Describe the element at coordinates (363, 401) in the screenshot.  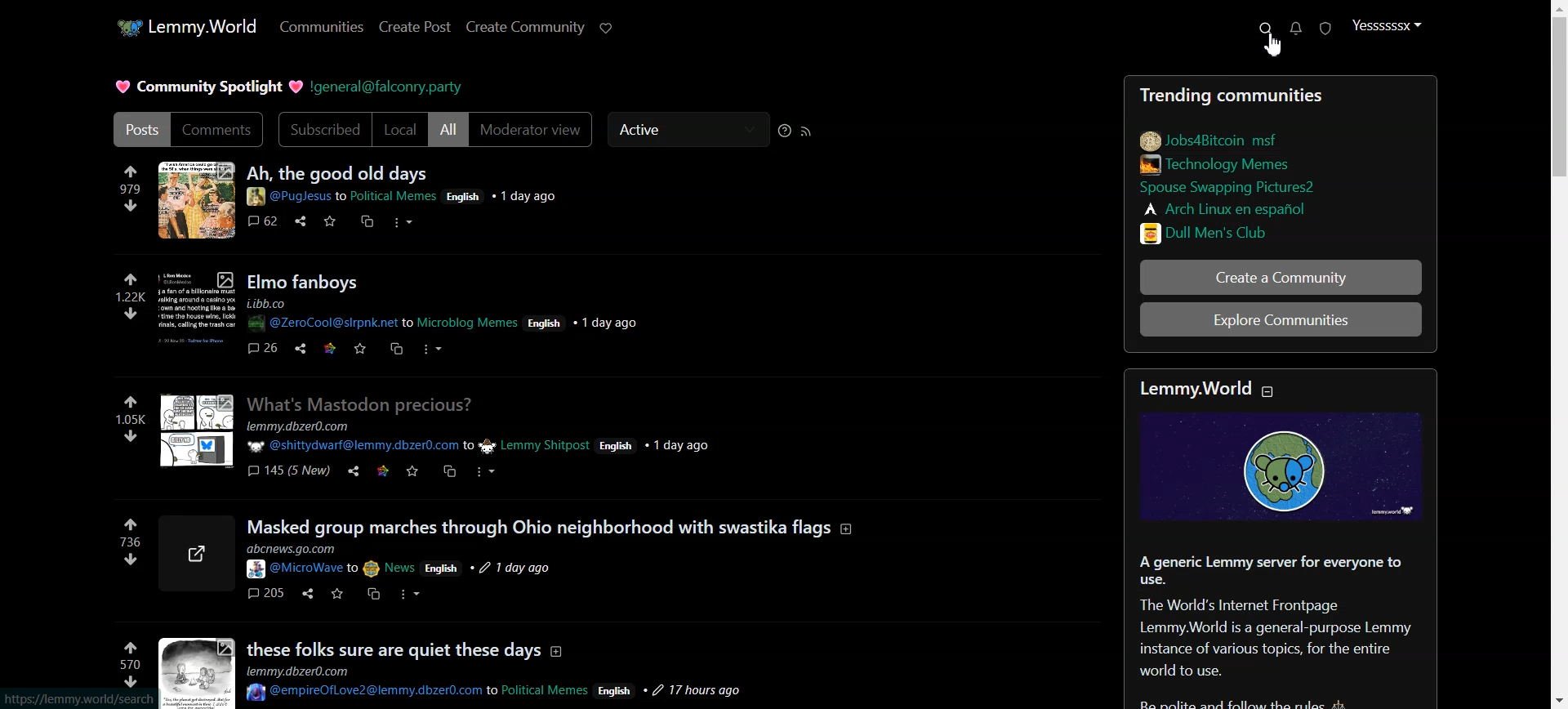
I see `post` at that location.